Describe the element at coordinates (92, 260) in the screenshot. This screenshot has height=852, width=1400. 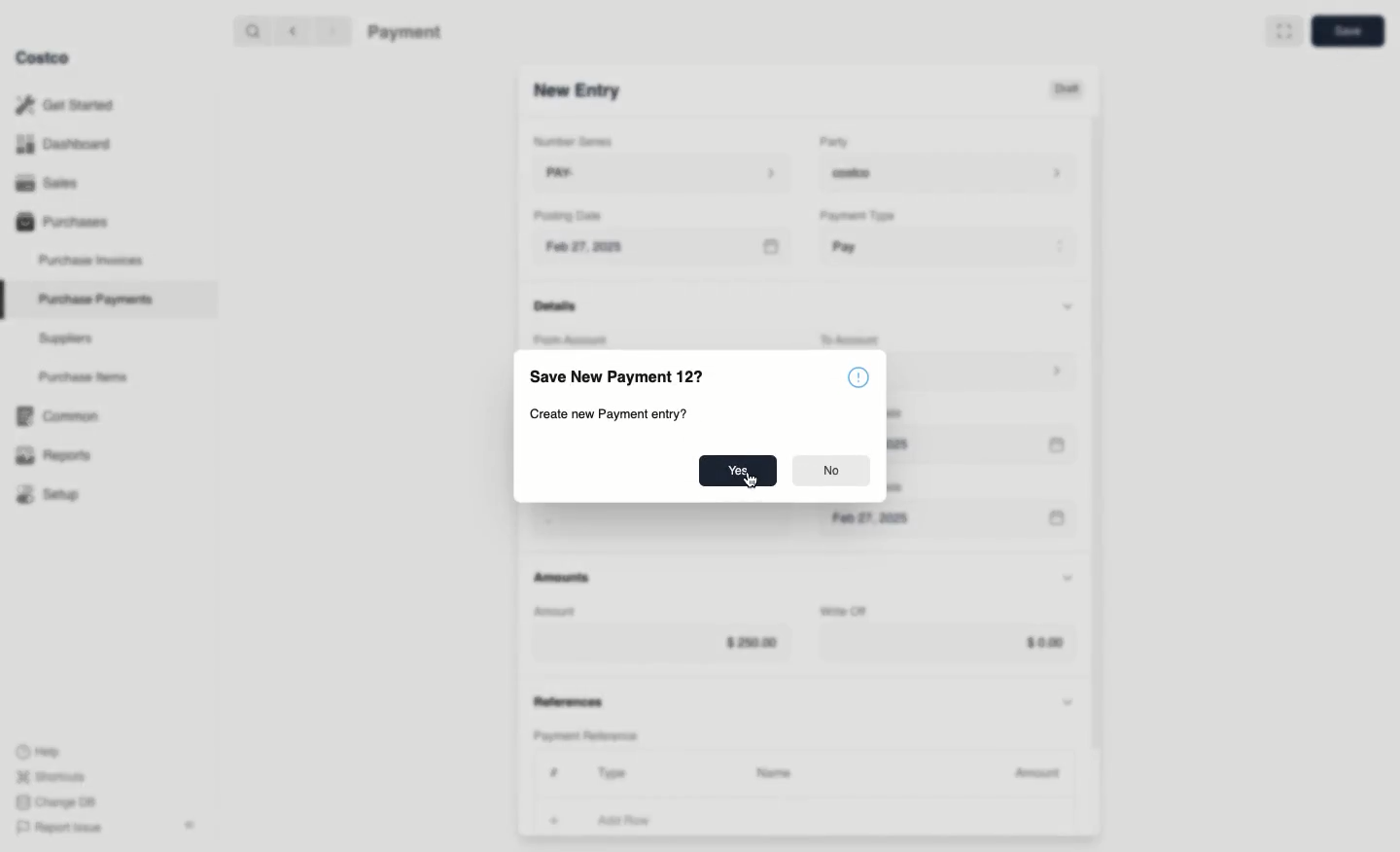
I see `Purchase Invoices` at that location.